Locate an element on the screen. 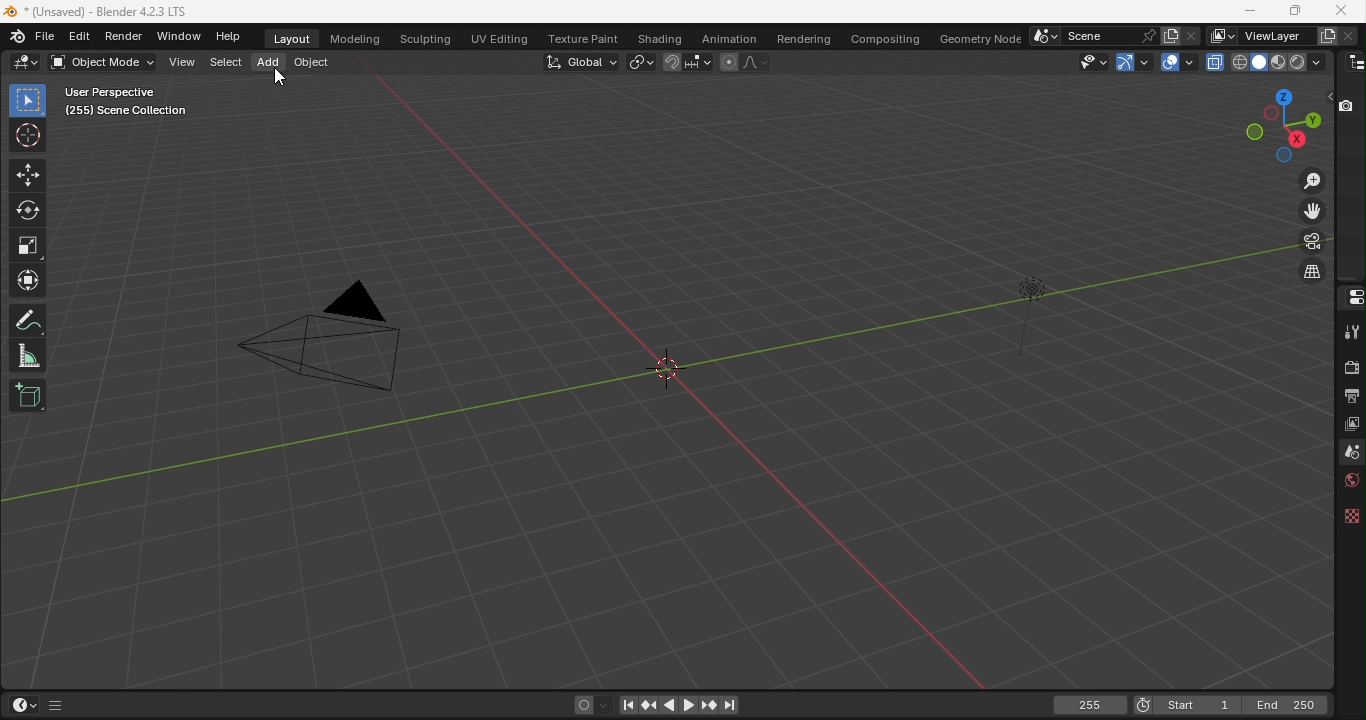 Image resolution: width=1366 pixels, height=720 pixels. Measure is located at coordinates (31, 354).